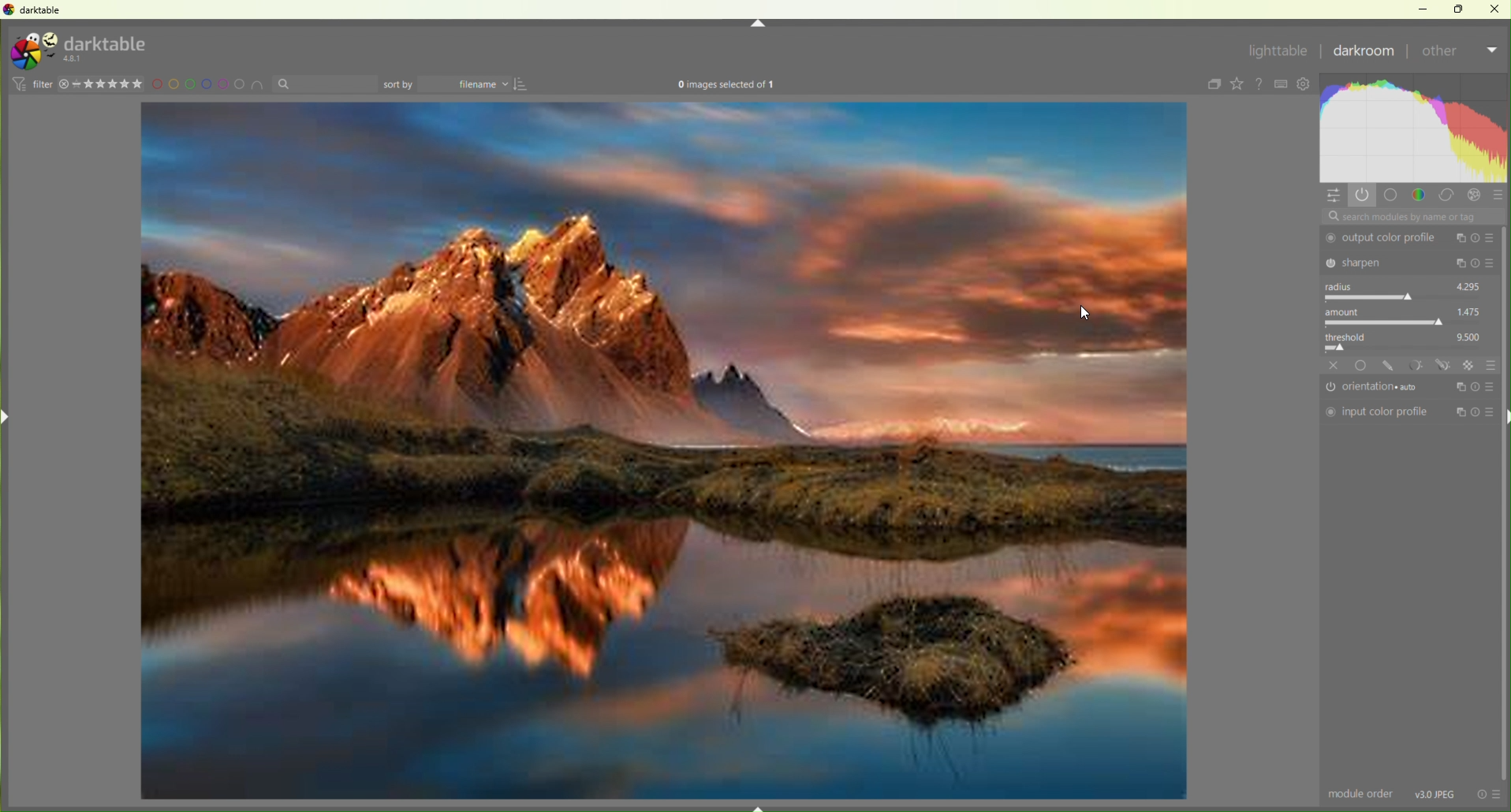 The image size is (1511, 812). What do you see at coordinates (1377, 388) in the screenshot?
I see `orientation` at bounding box center [1377, 388].